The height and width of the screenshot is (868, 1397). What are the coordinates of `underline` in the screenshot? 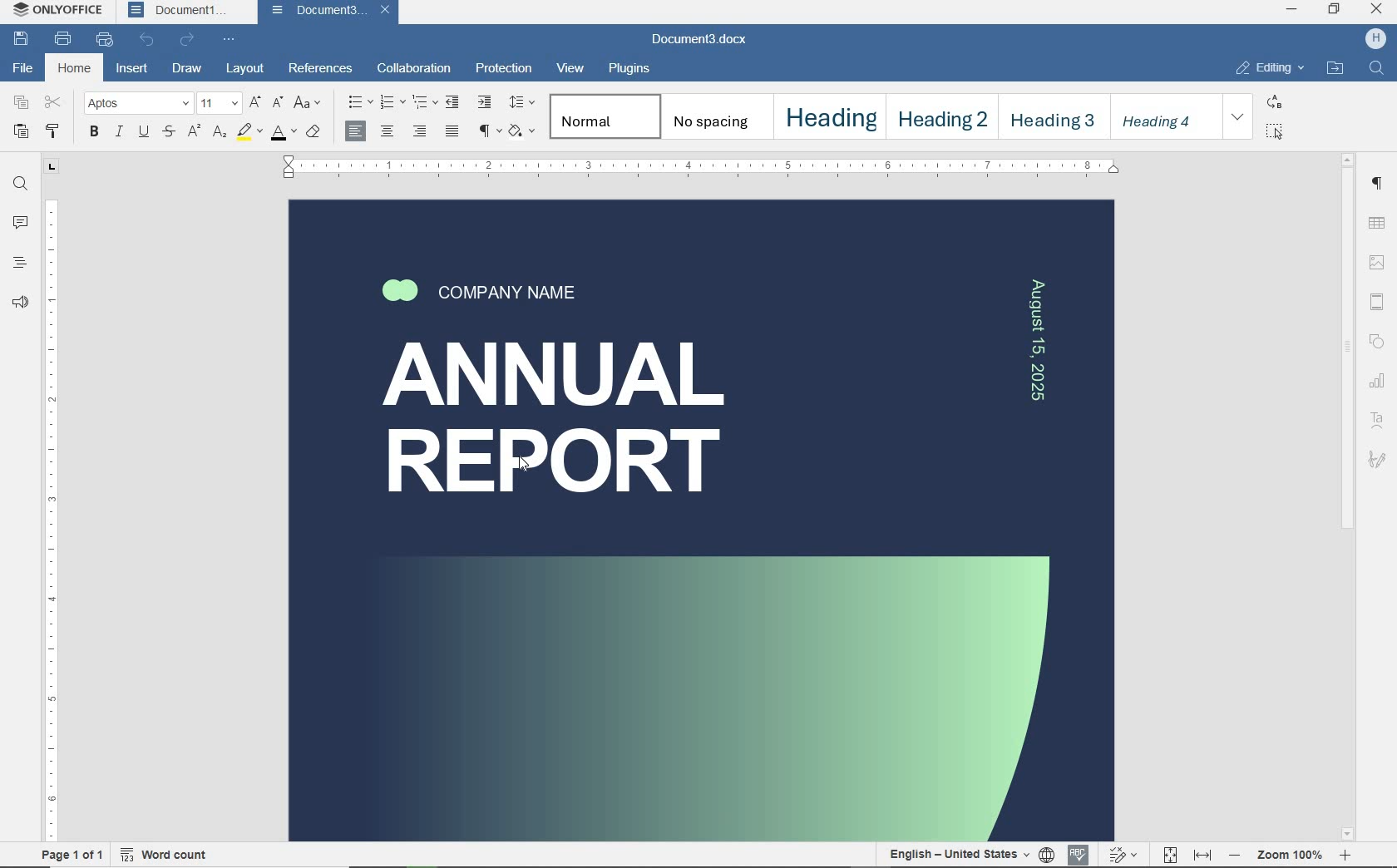 It's located at (146, 132).